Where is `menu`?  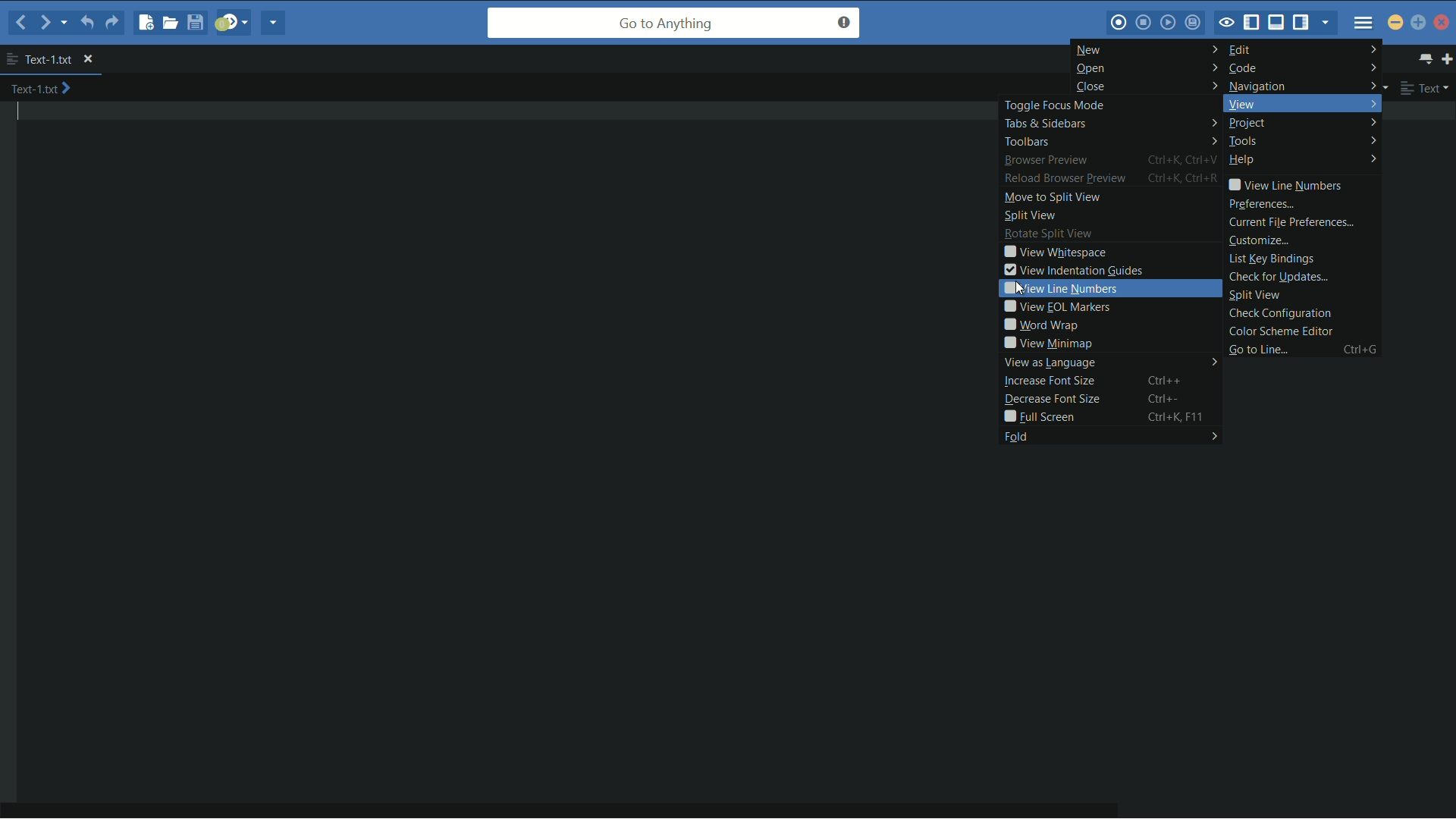 menu is located at coordinates (1364, 24).